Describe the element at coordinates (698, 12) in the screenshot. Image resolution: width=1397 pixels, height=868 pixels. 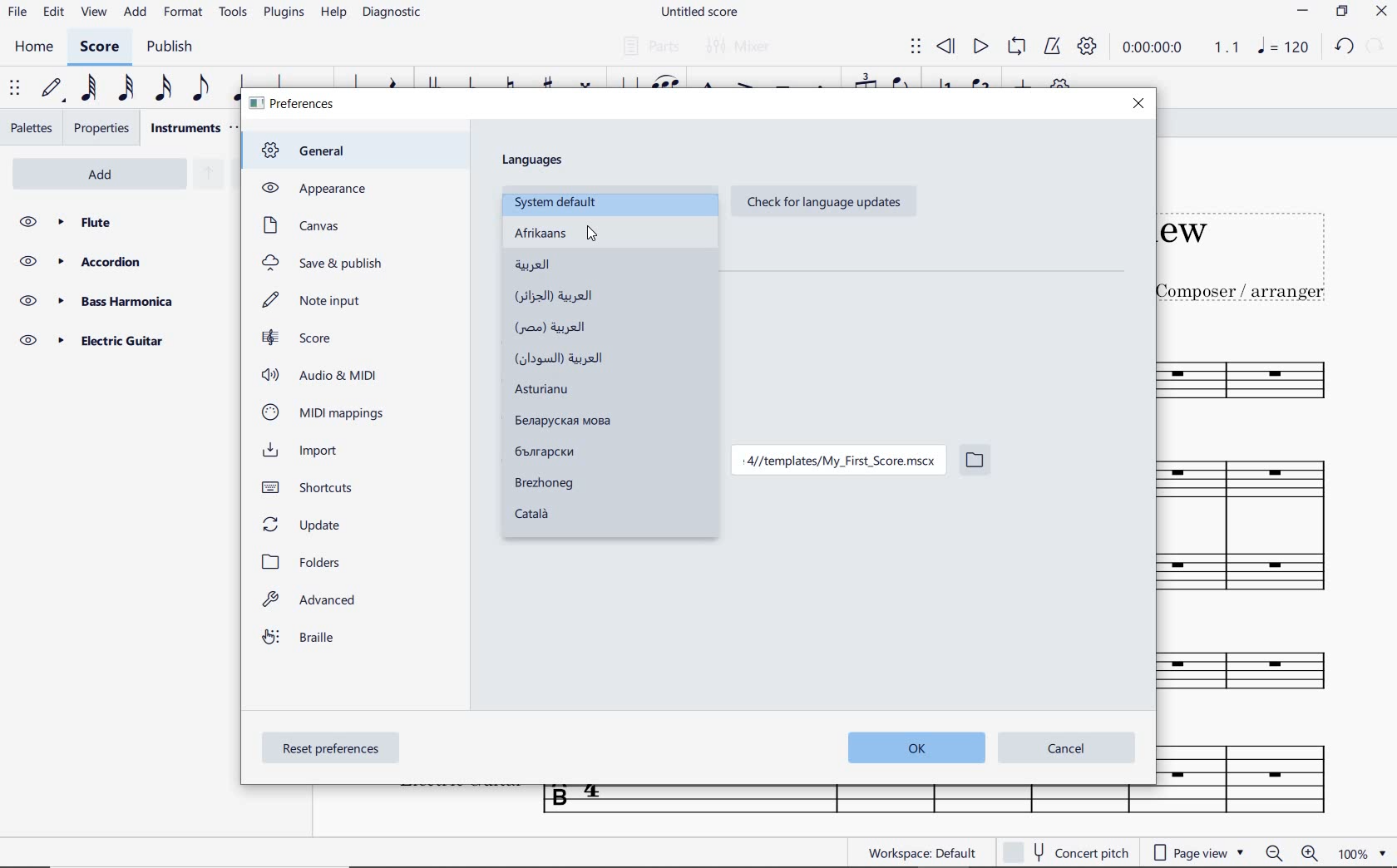
I see `file name` at that location.